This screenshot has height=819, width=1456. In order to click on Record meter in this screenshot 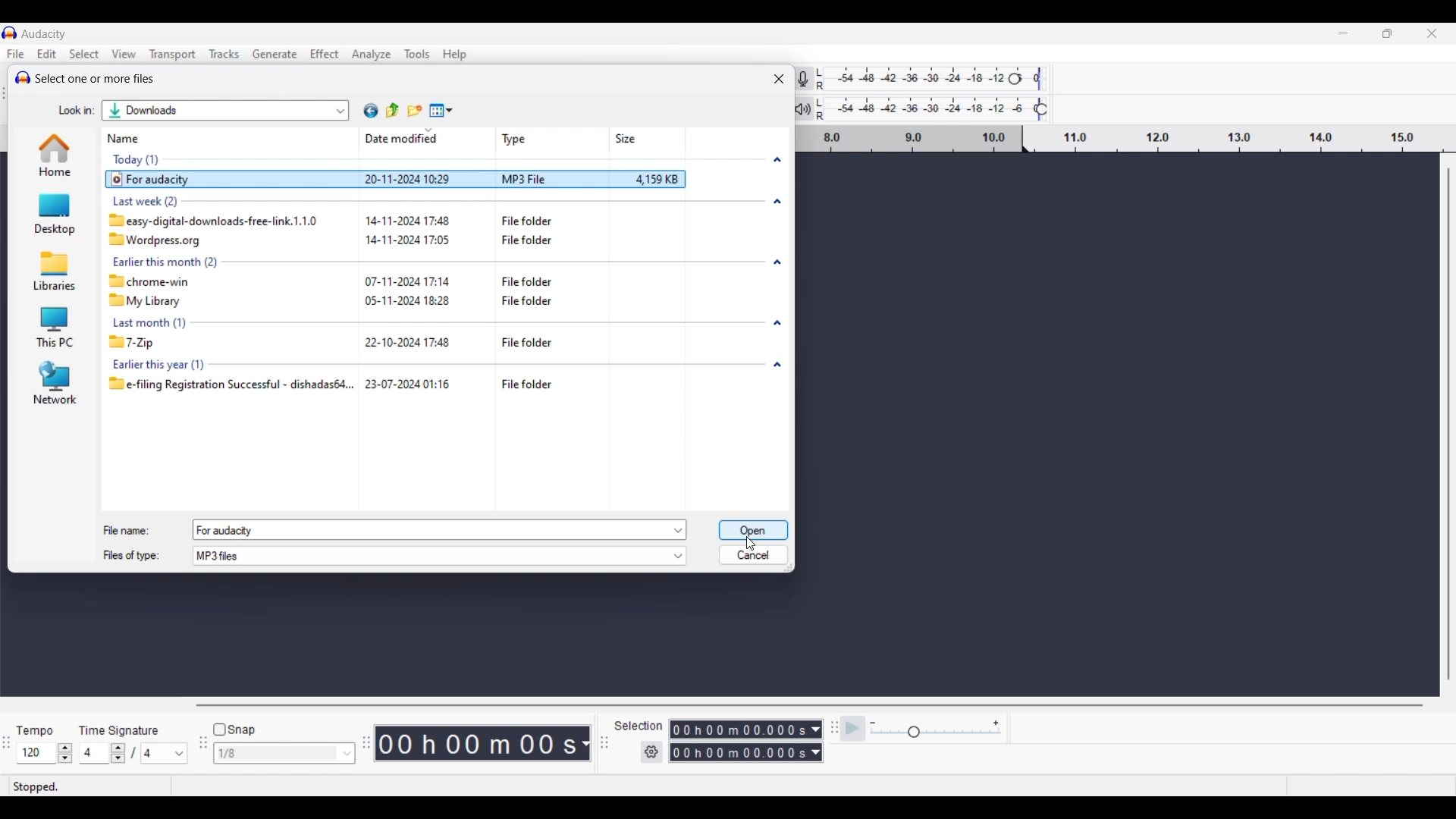, I will do `click(813, 78)`.